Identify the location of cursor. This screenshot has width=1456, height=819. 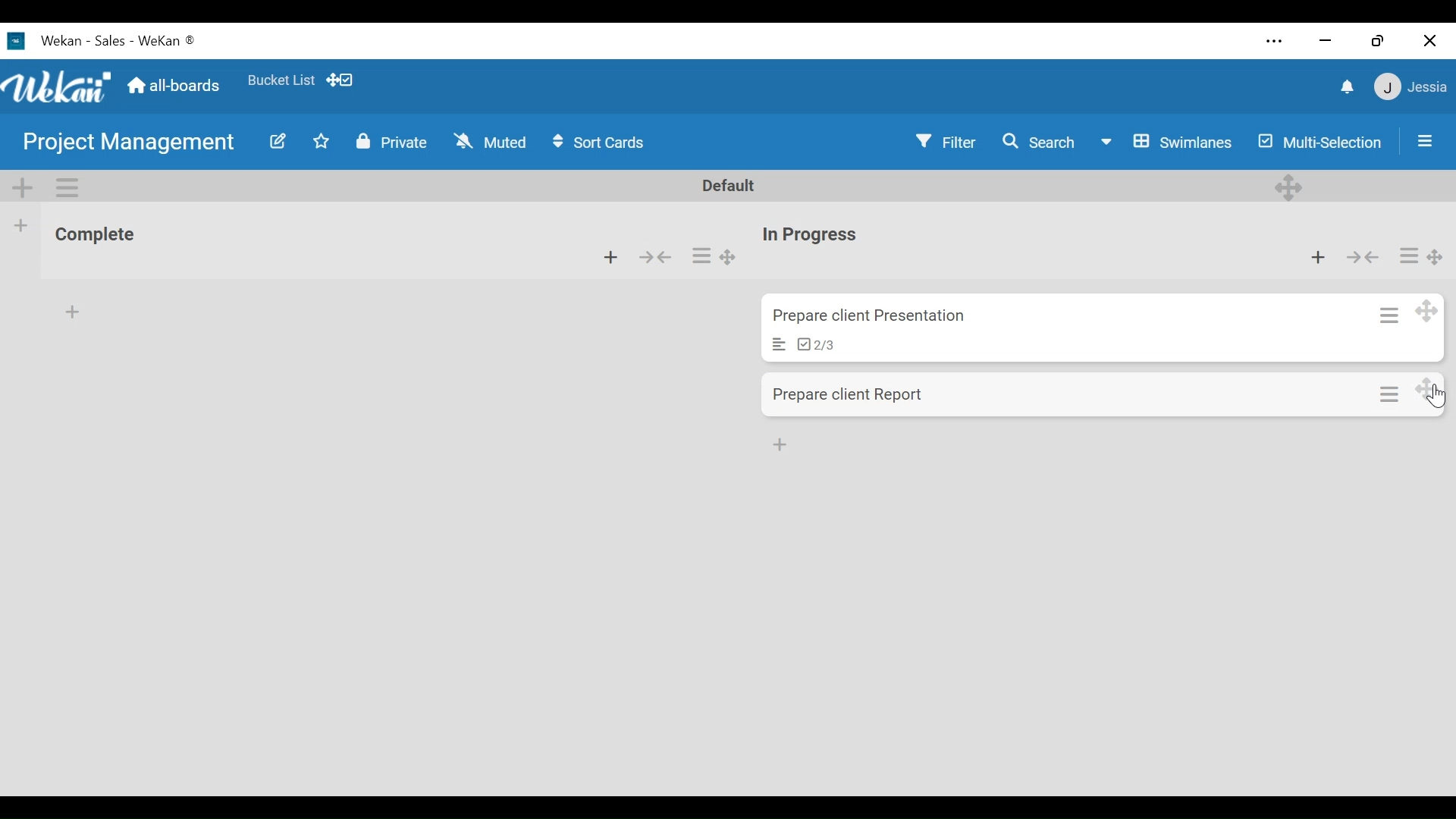
(1437, 400).